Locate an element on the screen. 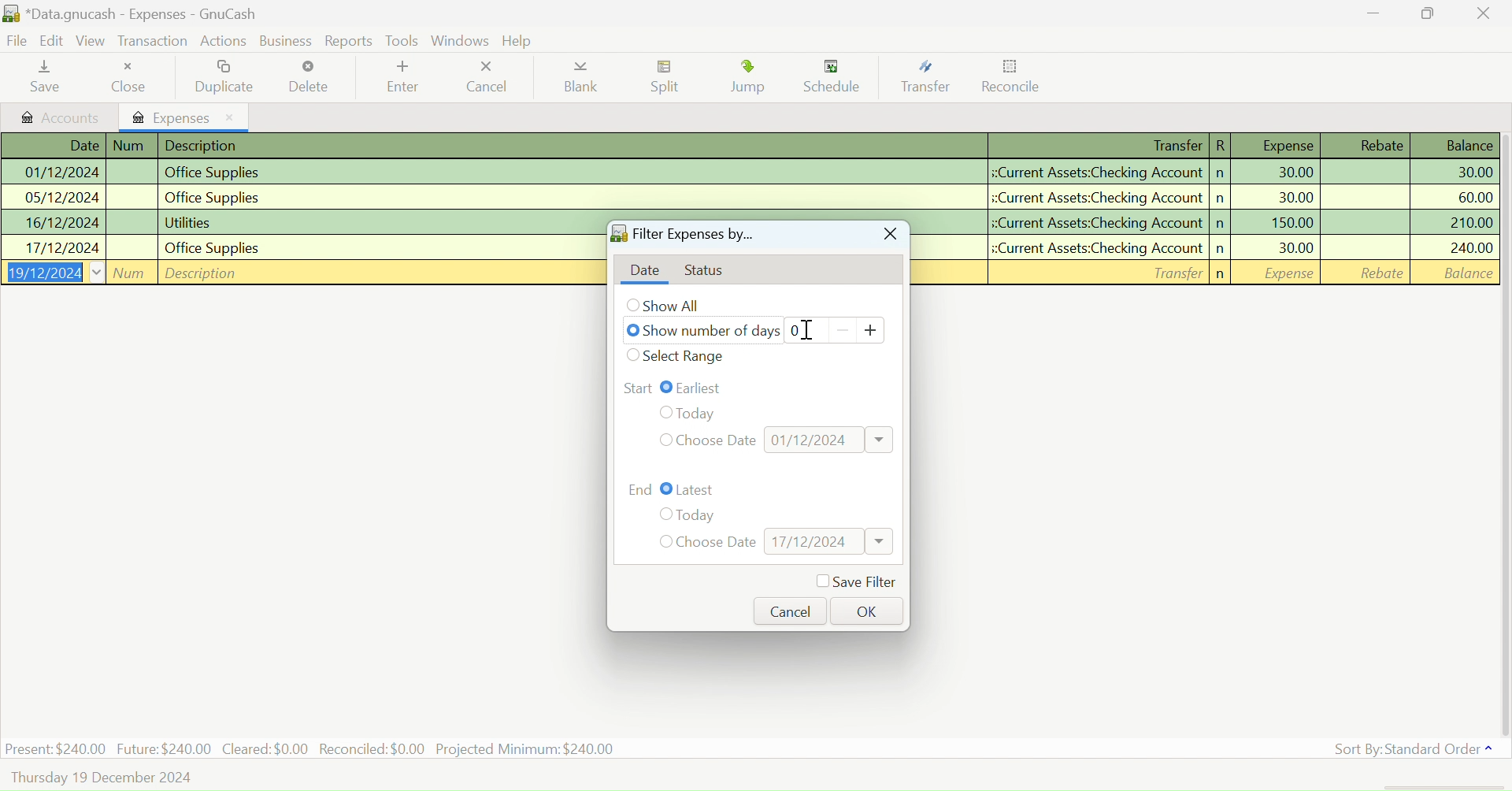 Image resolution: width=1512 pixels, height=791 pixels. Reconcile is located at coordinates (1012, 80).